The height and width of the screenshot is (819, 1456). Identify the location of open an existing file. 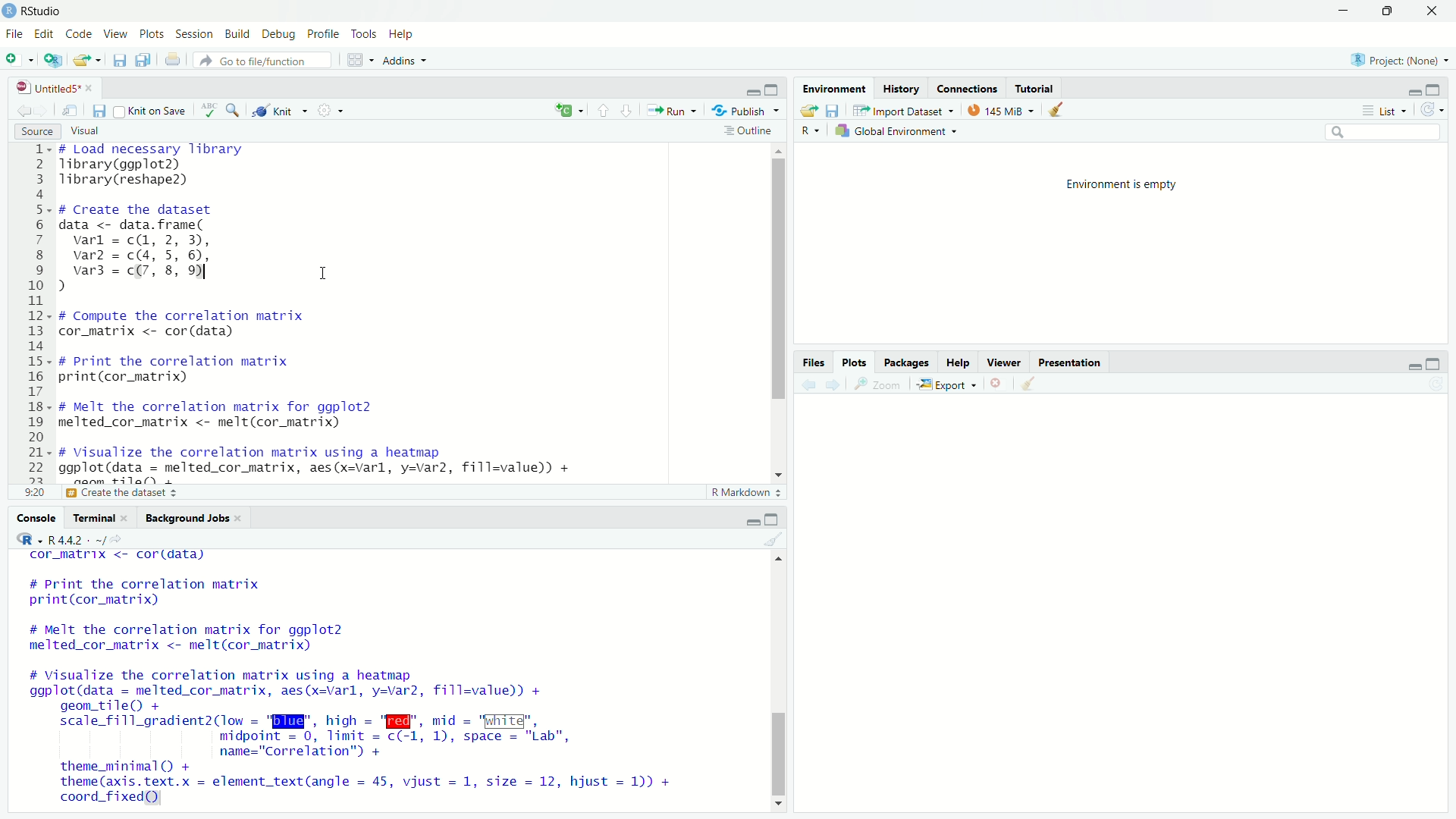
(86, 60).